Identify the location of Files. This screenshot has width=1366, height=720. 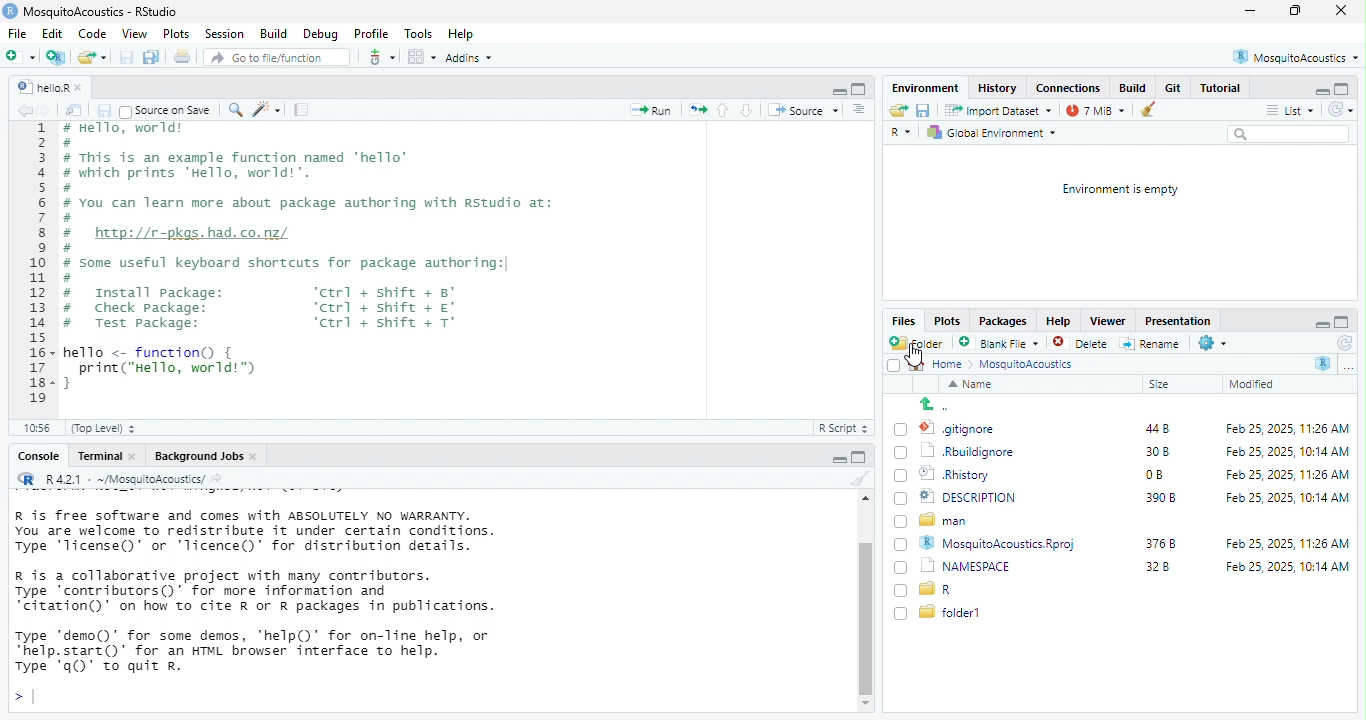
(902, 320).